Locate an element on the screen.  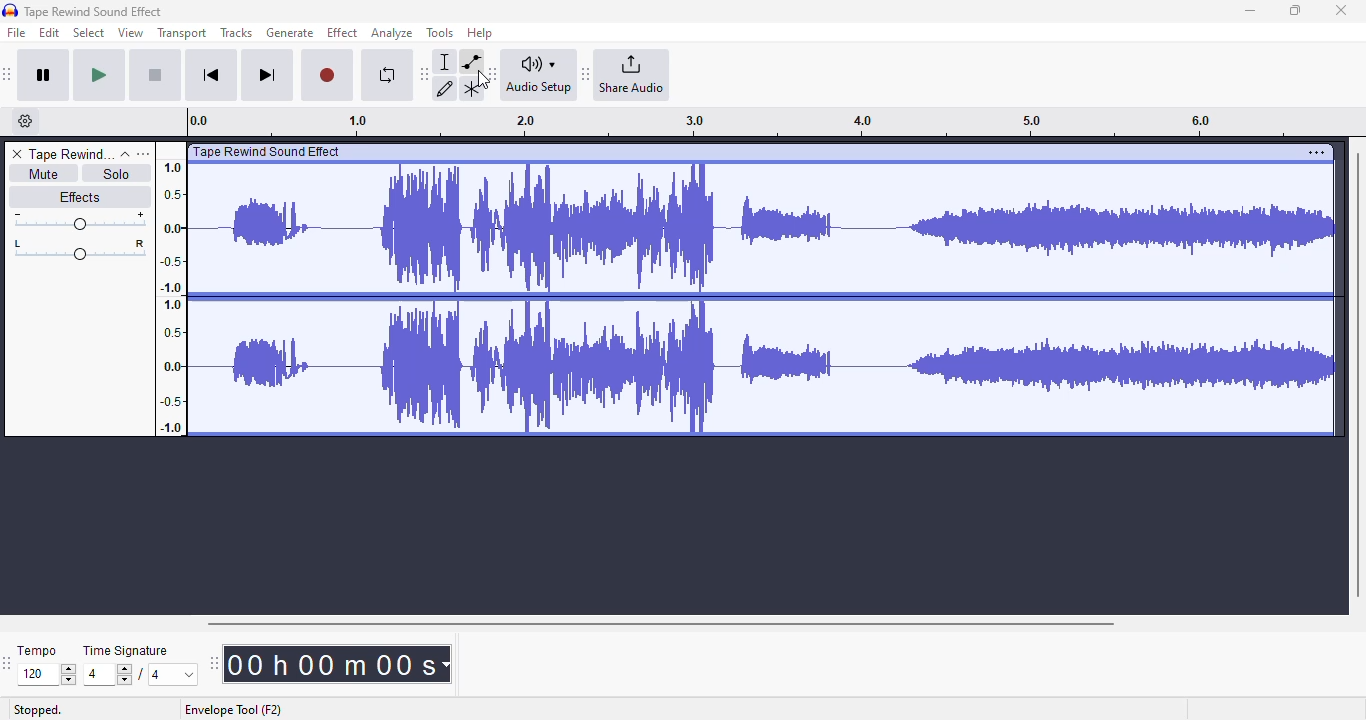
file is located at coordinates (17, 33).